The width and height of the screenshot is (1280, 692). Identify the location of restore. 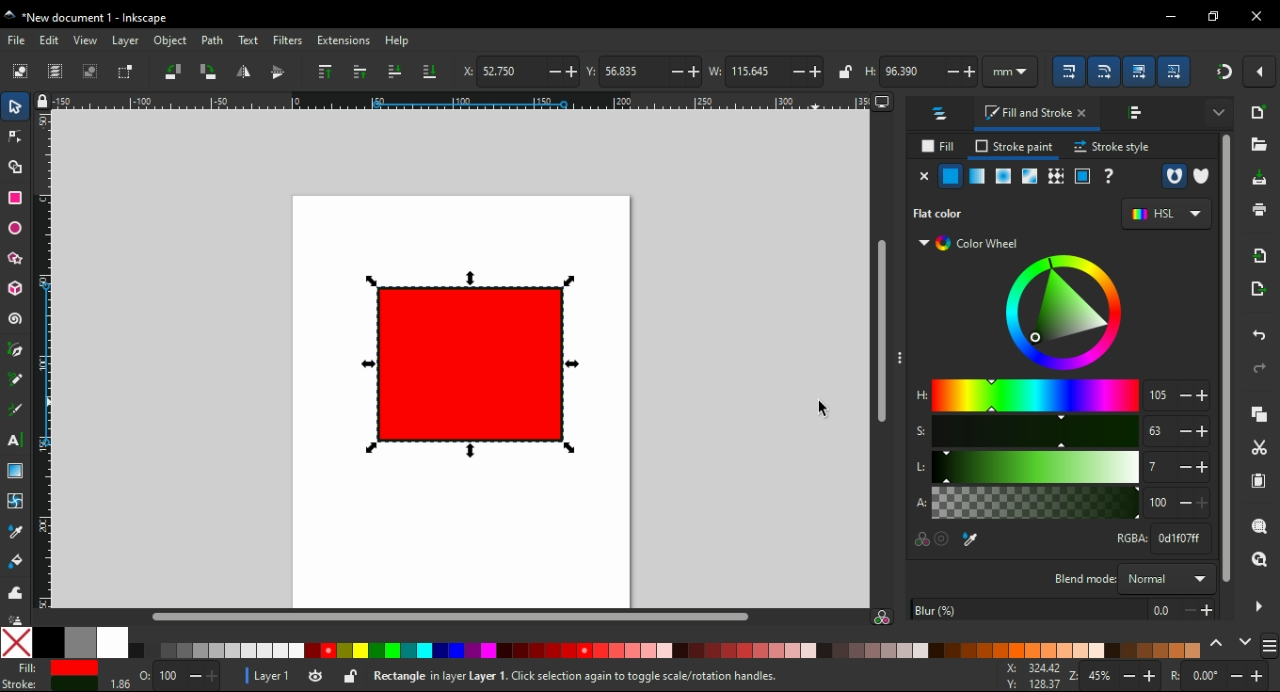
(1215, 16).